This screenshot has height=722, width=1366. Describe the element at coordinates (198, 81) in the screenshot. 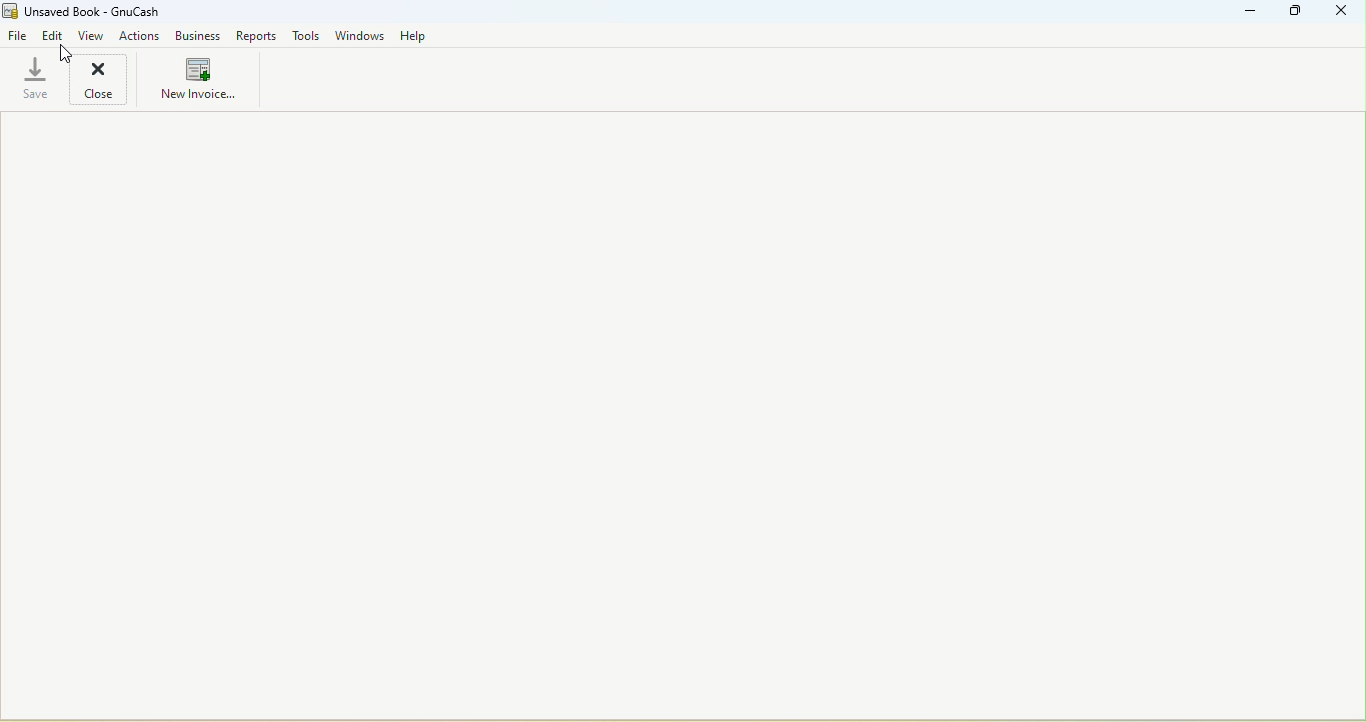

I see `New invoice` at that location.